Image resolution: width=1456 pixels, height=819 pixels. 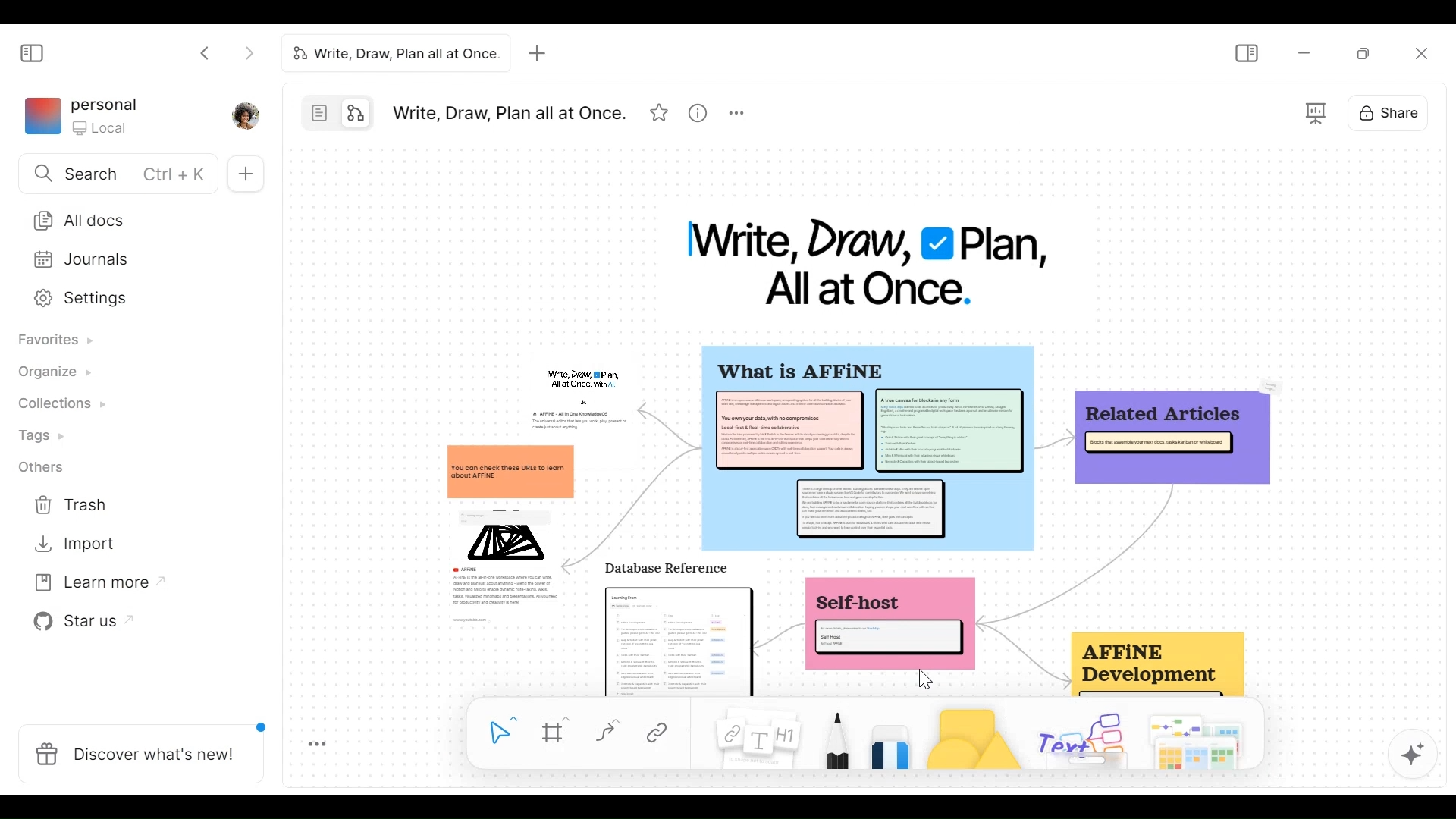 What do you see at coordinates (770, 737) in the screenshot?
I see `note` at bounding box center [770, 737].